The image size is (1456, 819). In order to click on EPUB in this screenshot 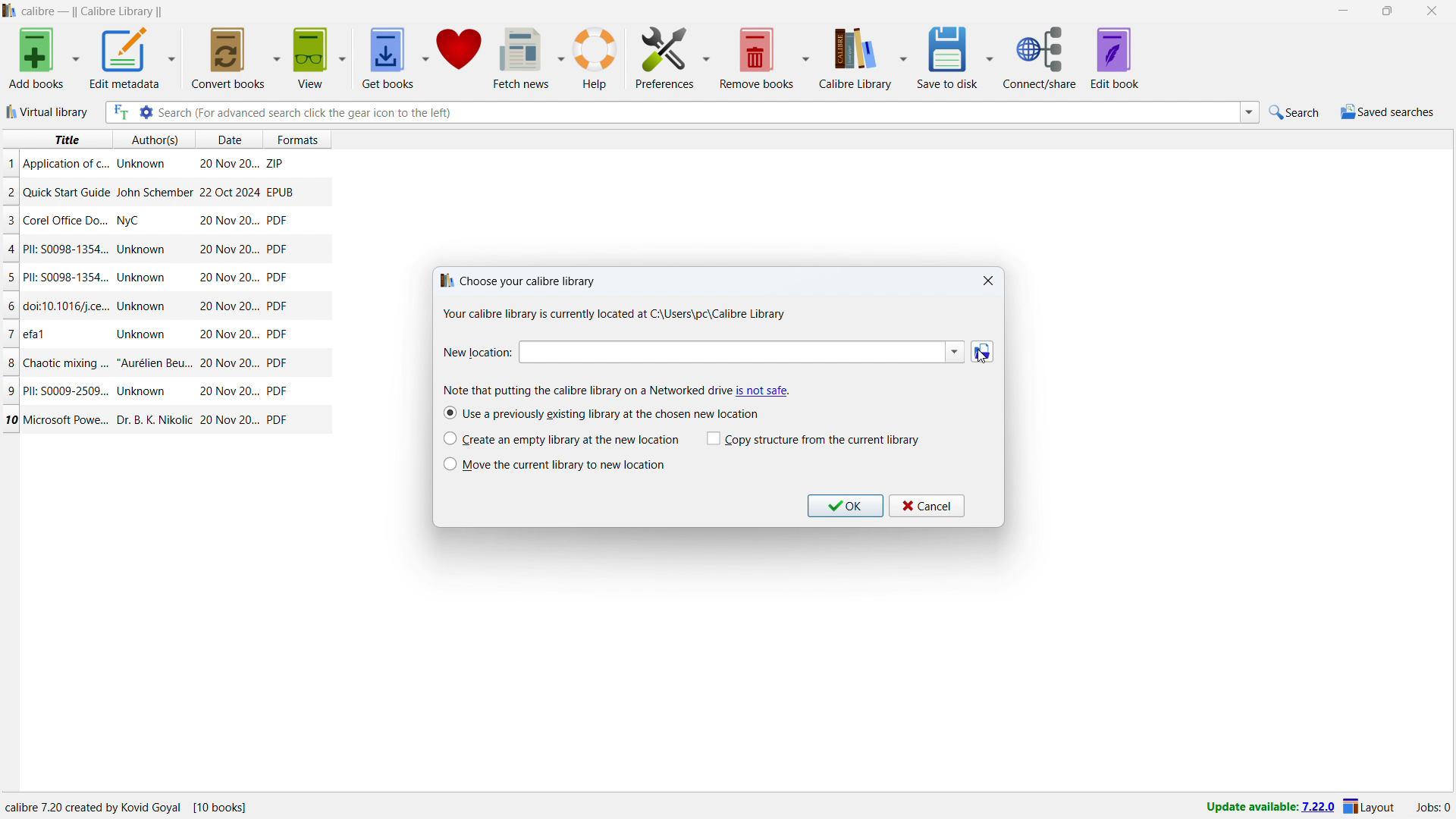, I will do `click(280, 191)`.